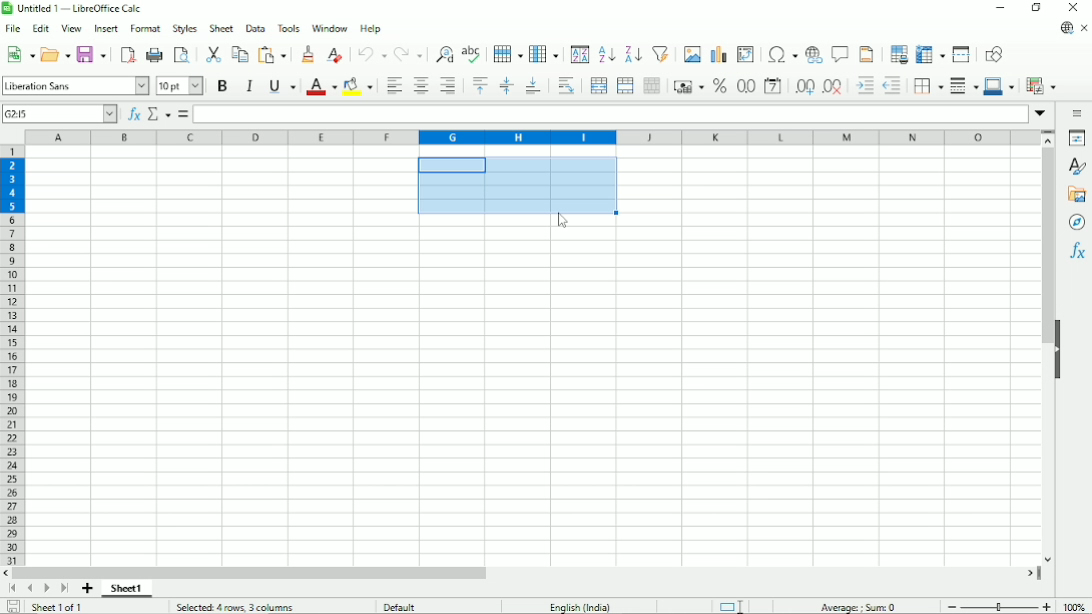 This screenshot has height=614, width=1092. I want to click on Freeze rows and columns, so click(930, 54).